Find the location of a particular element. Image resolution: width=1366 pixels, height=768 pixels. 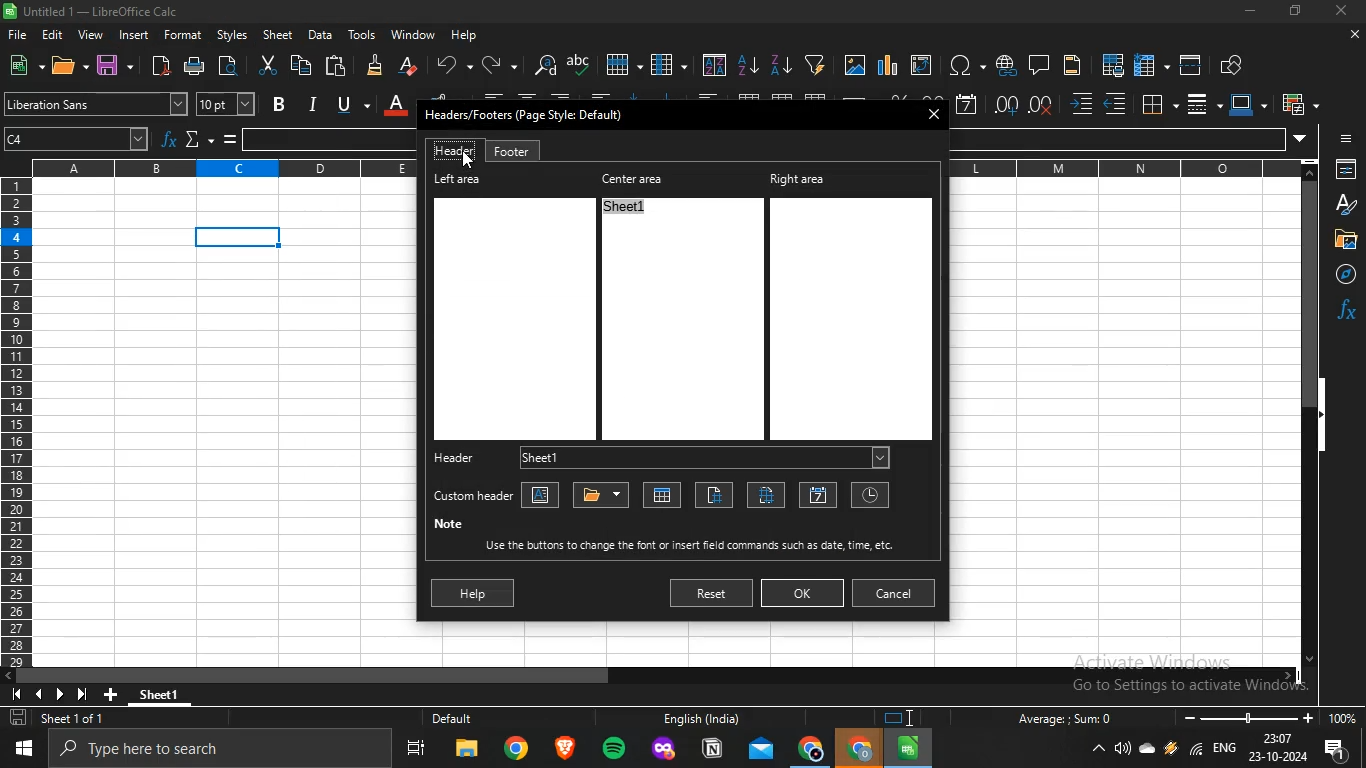

copy is located at coordinates (301, 65).